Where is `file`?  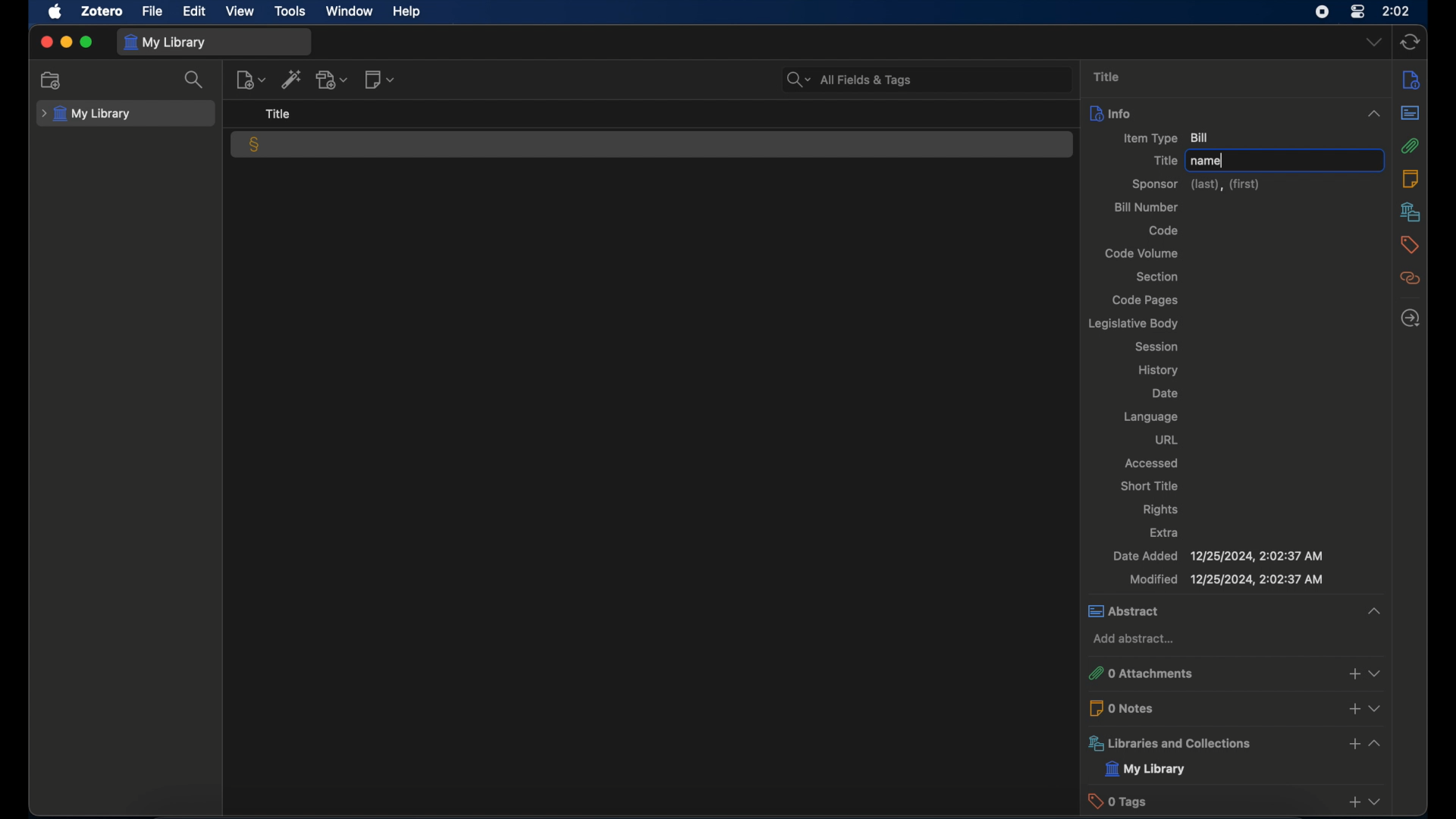
file is located at coordinates (153, 11).